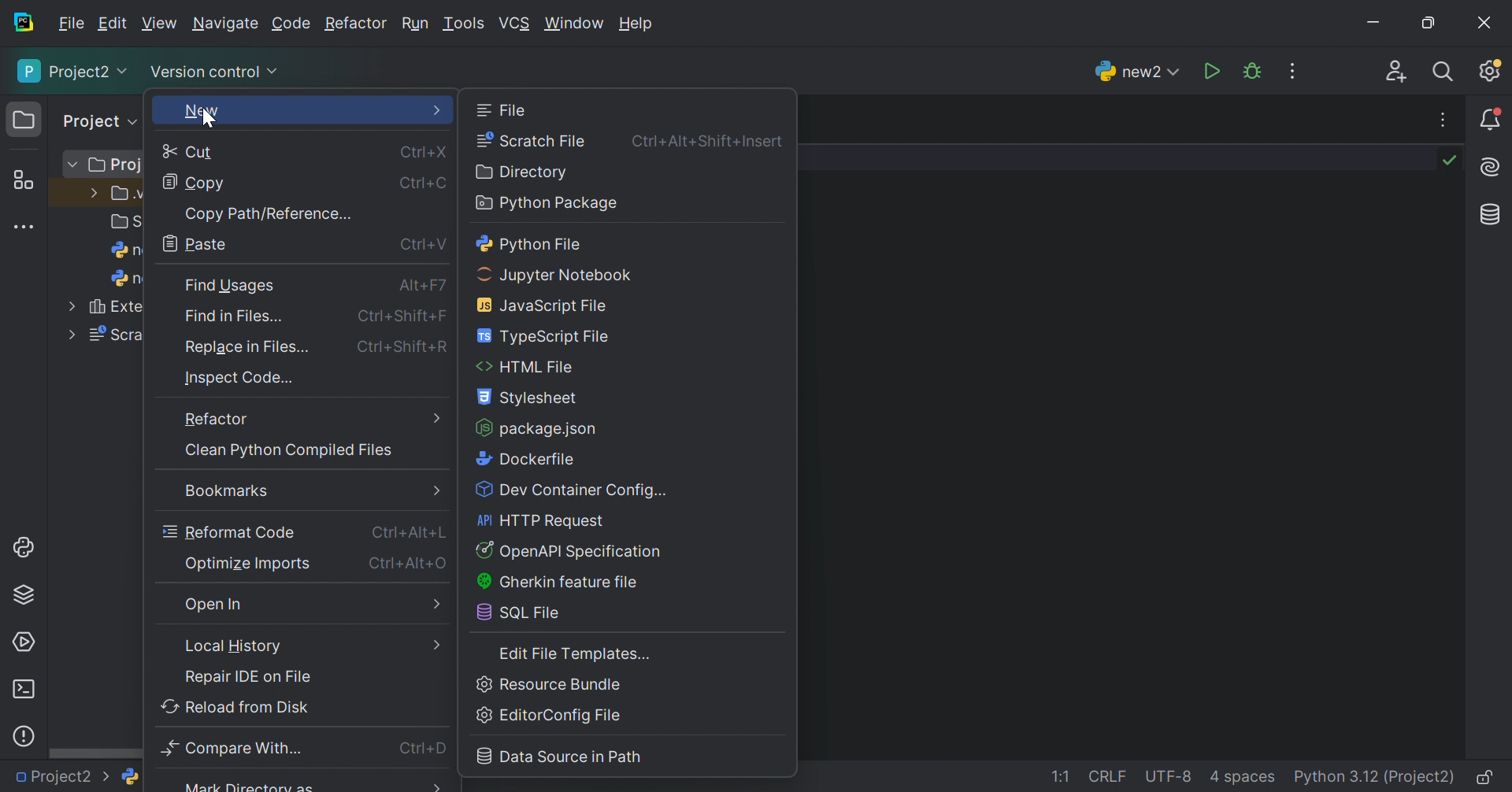 Image resolution: width=1512 pixels, height=792 pixels. Describe the element at coordinates (121, 250) in the screenshot. I see `n` at that location.